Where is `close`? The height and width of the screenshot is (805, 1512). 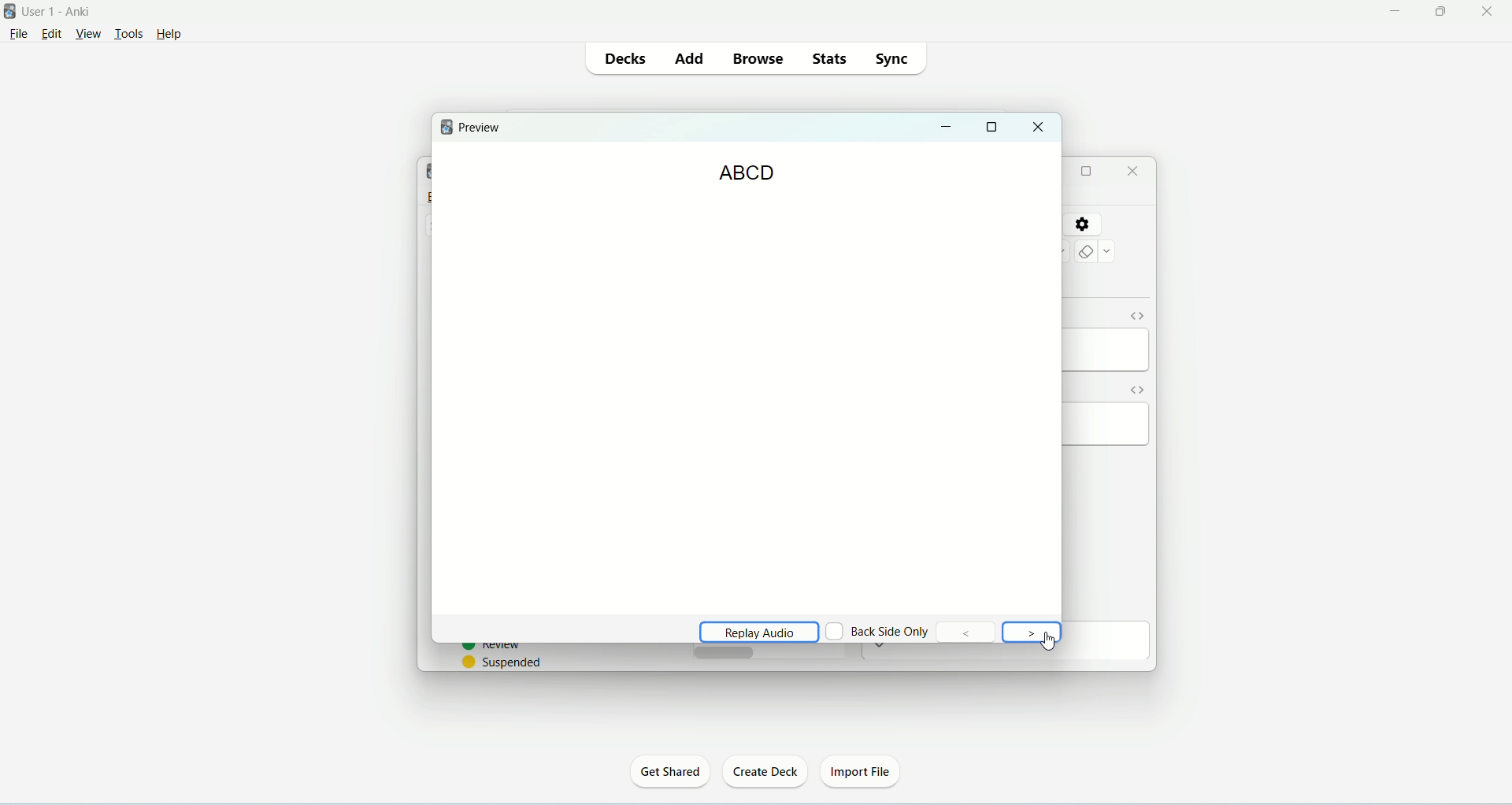 close is located at coordinates (1038, 128).